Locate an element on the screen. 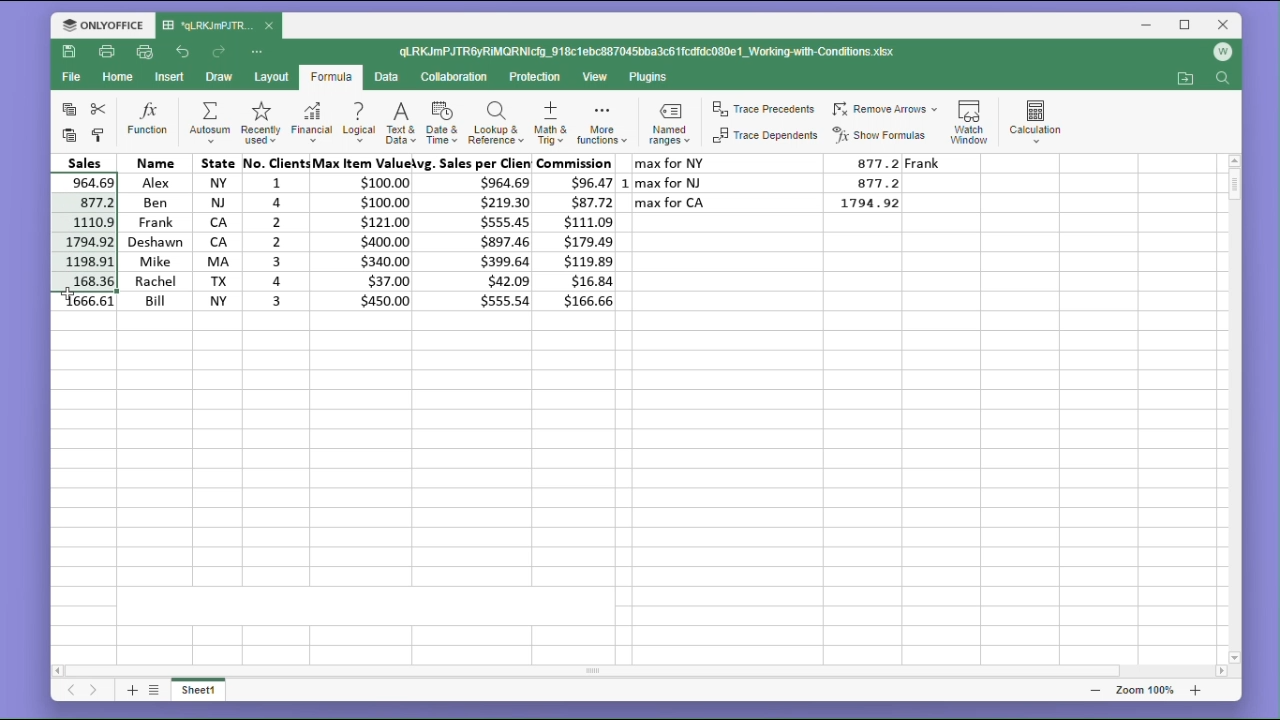  list of sheets is located at coordinates (157, 689).